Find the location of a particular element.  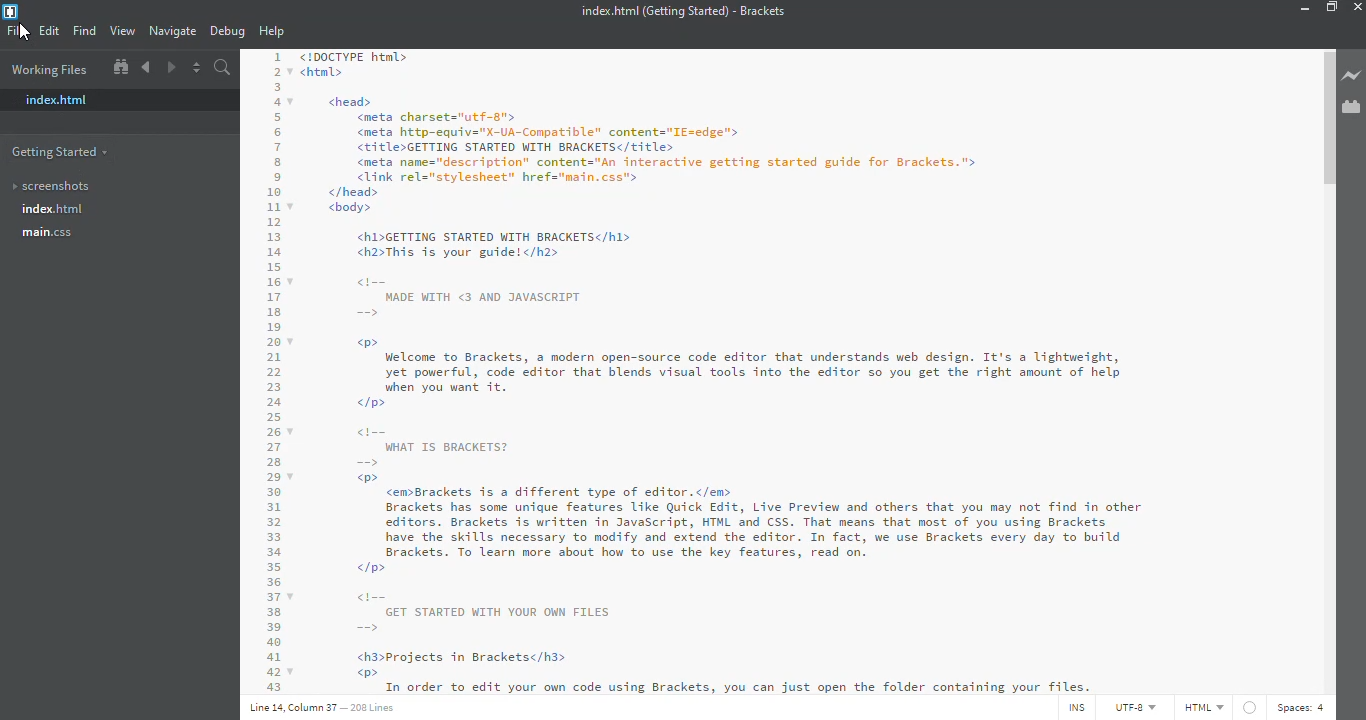

debug is located at coordinates (226, 32).